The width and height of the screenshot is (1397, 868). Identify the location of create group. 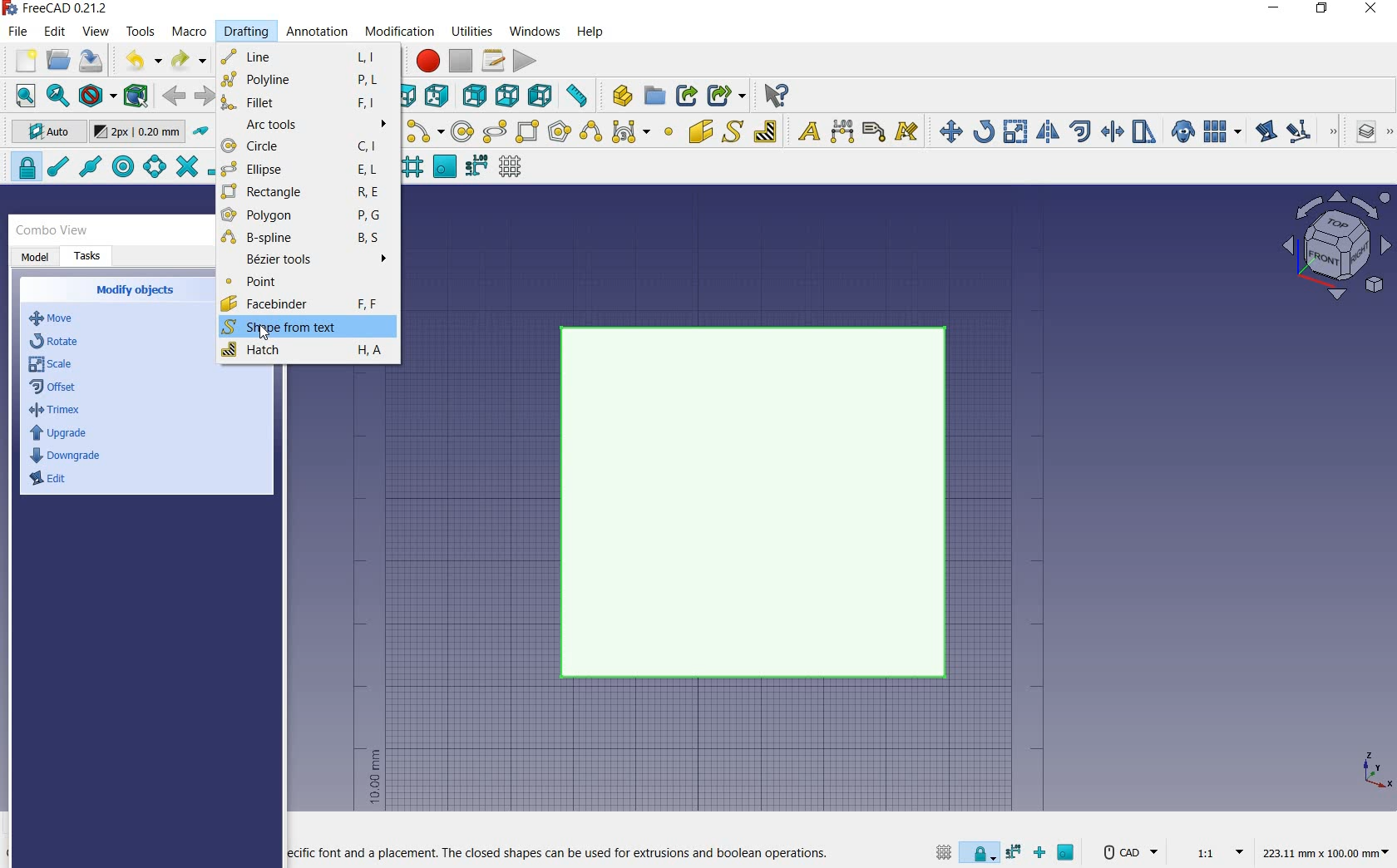
(654, 96).